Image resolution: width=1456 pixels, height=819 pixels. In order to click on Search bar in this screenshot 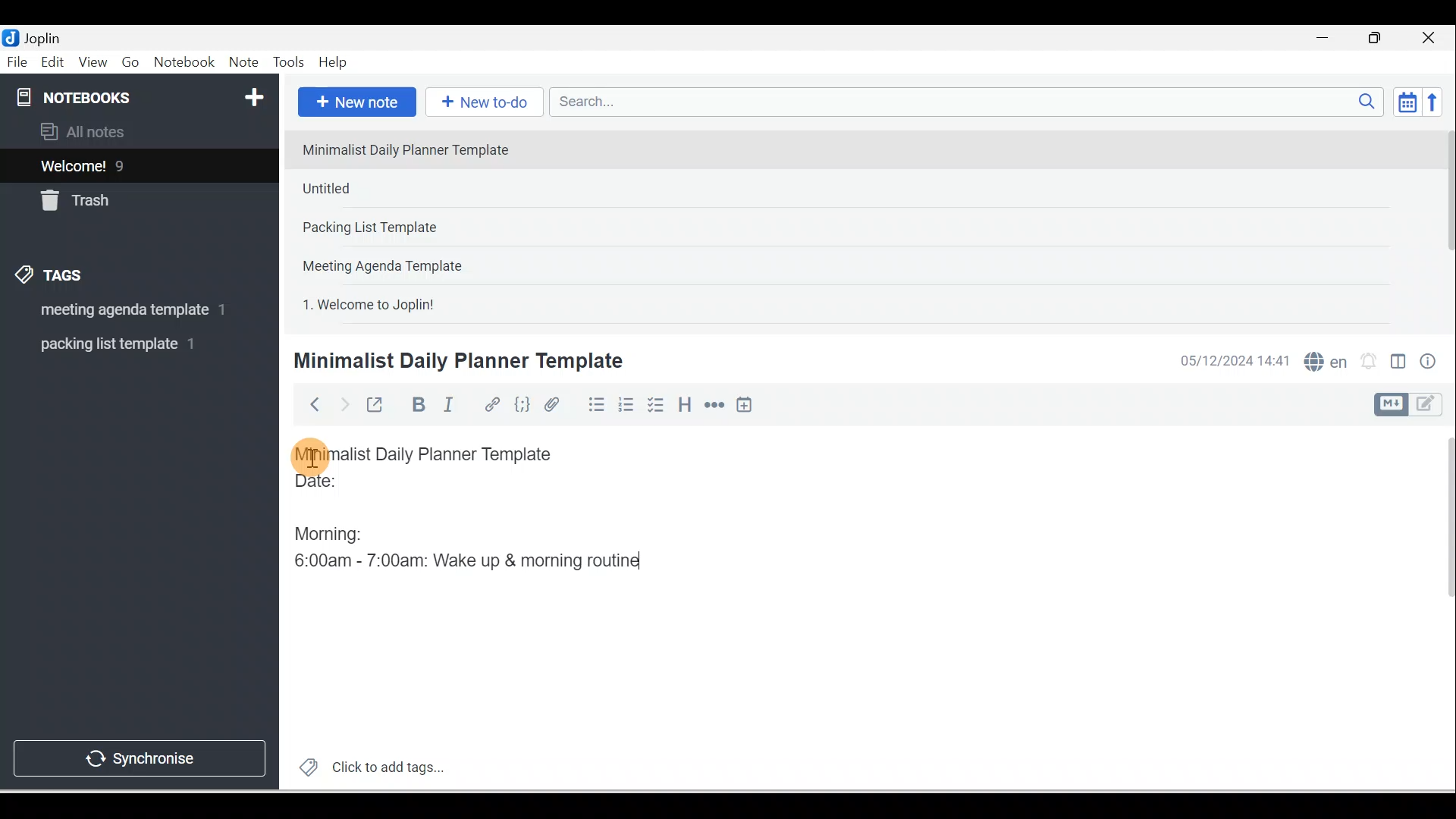, I will do `click(971, 102)`.